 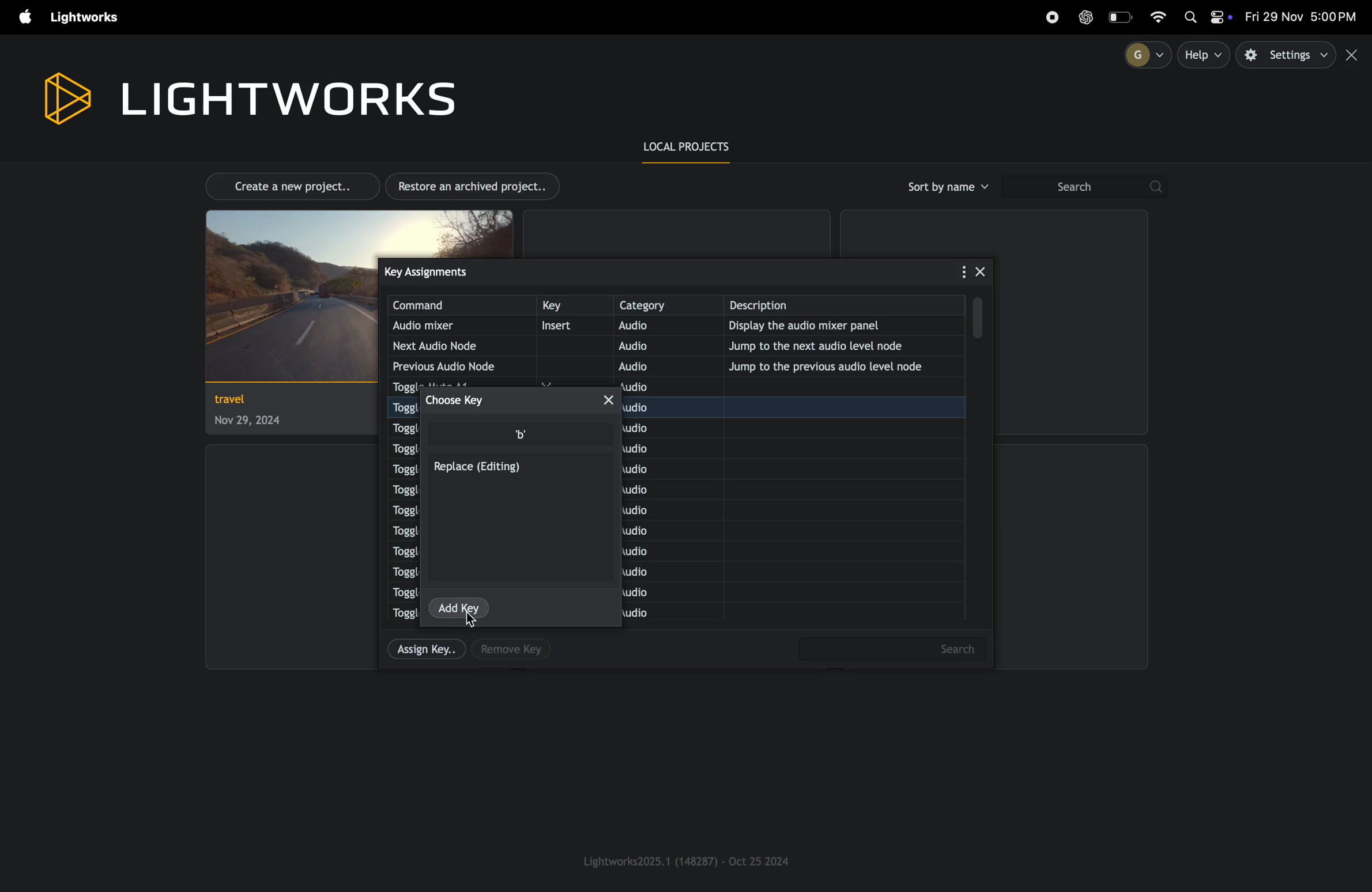 What do you see at coordinates (88, 18) in the screenshot?
I see `light works` at bounding box center [88, 18].